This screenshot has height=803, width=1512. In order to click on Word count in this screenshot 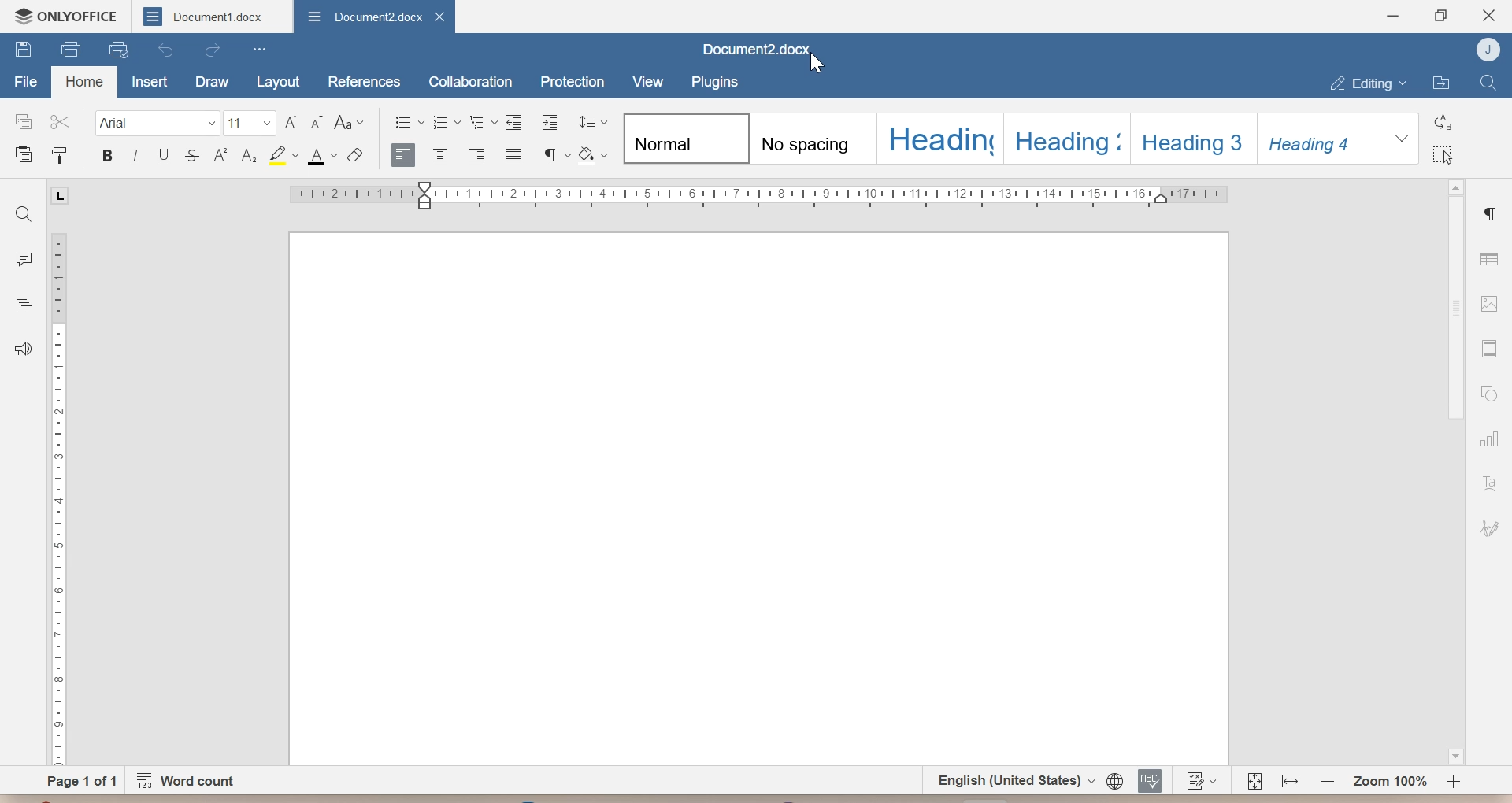, I will do `click(192, 780)`.